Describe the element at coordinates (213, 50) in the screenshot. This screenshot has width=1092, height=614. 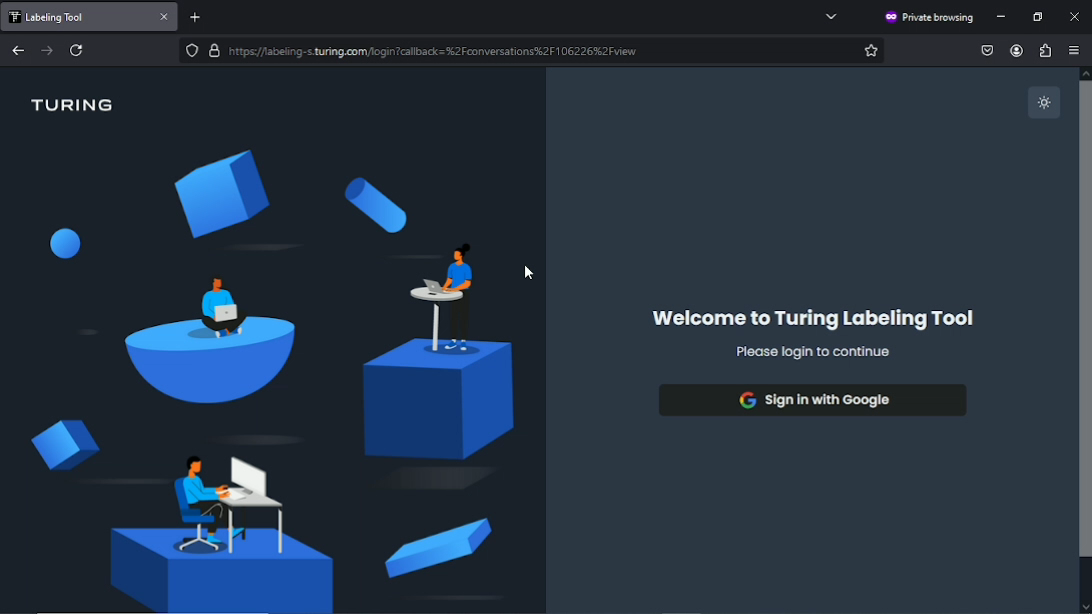
I see `verified by google trust` at that location.